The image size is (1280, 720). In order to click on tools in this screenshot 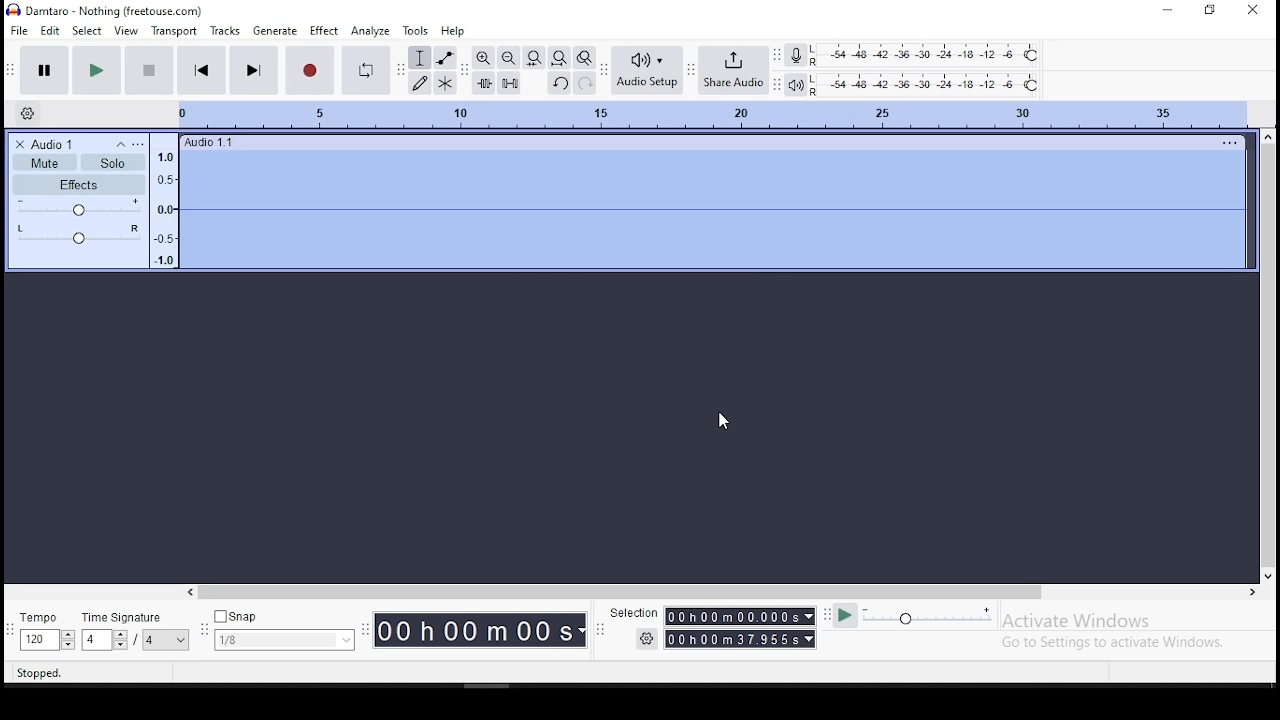, I will do `click(417, 30)`.